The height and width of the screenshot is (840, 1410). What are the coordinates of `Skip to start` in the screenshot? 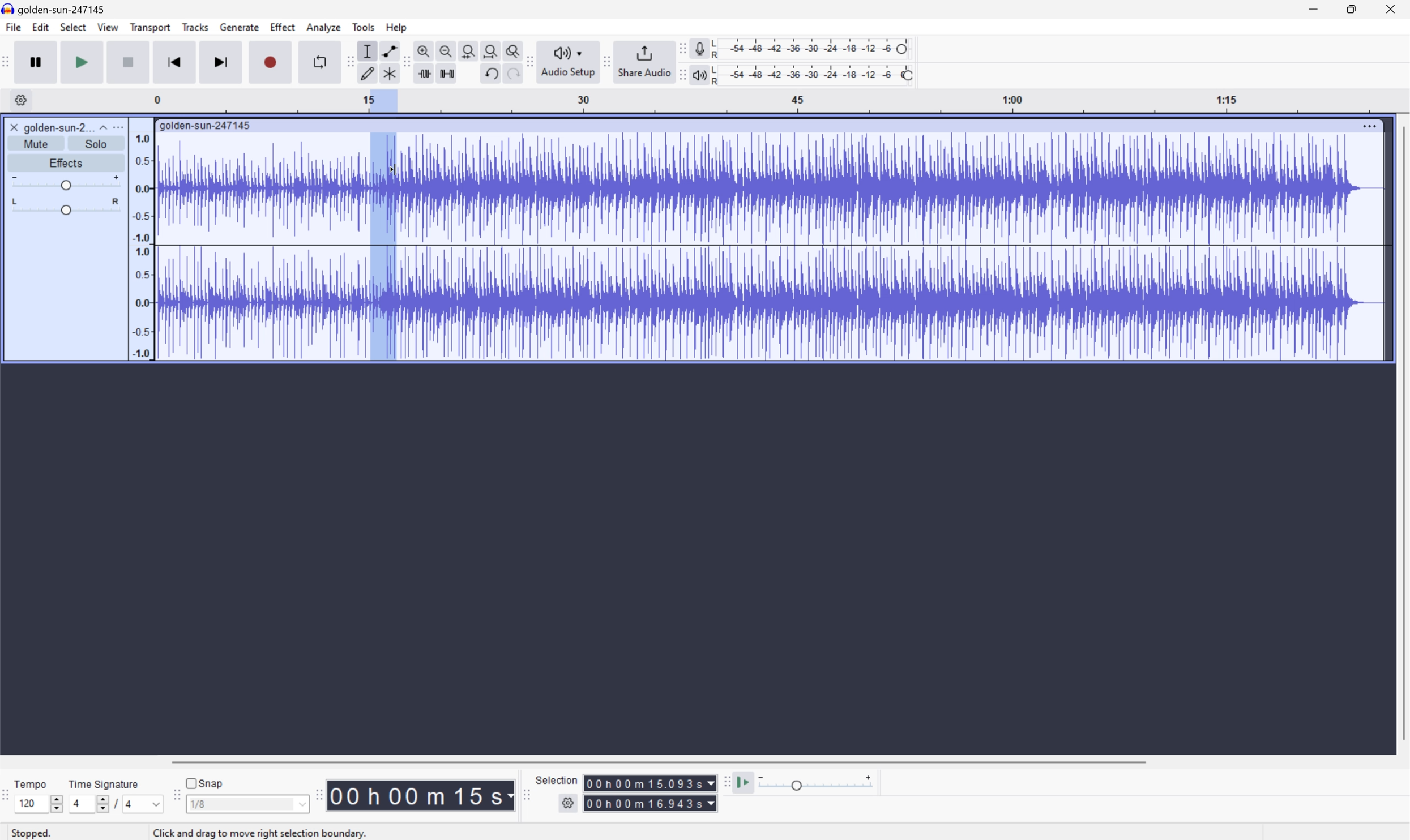 It's located at (176, 62).